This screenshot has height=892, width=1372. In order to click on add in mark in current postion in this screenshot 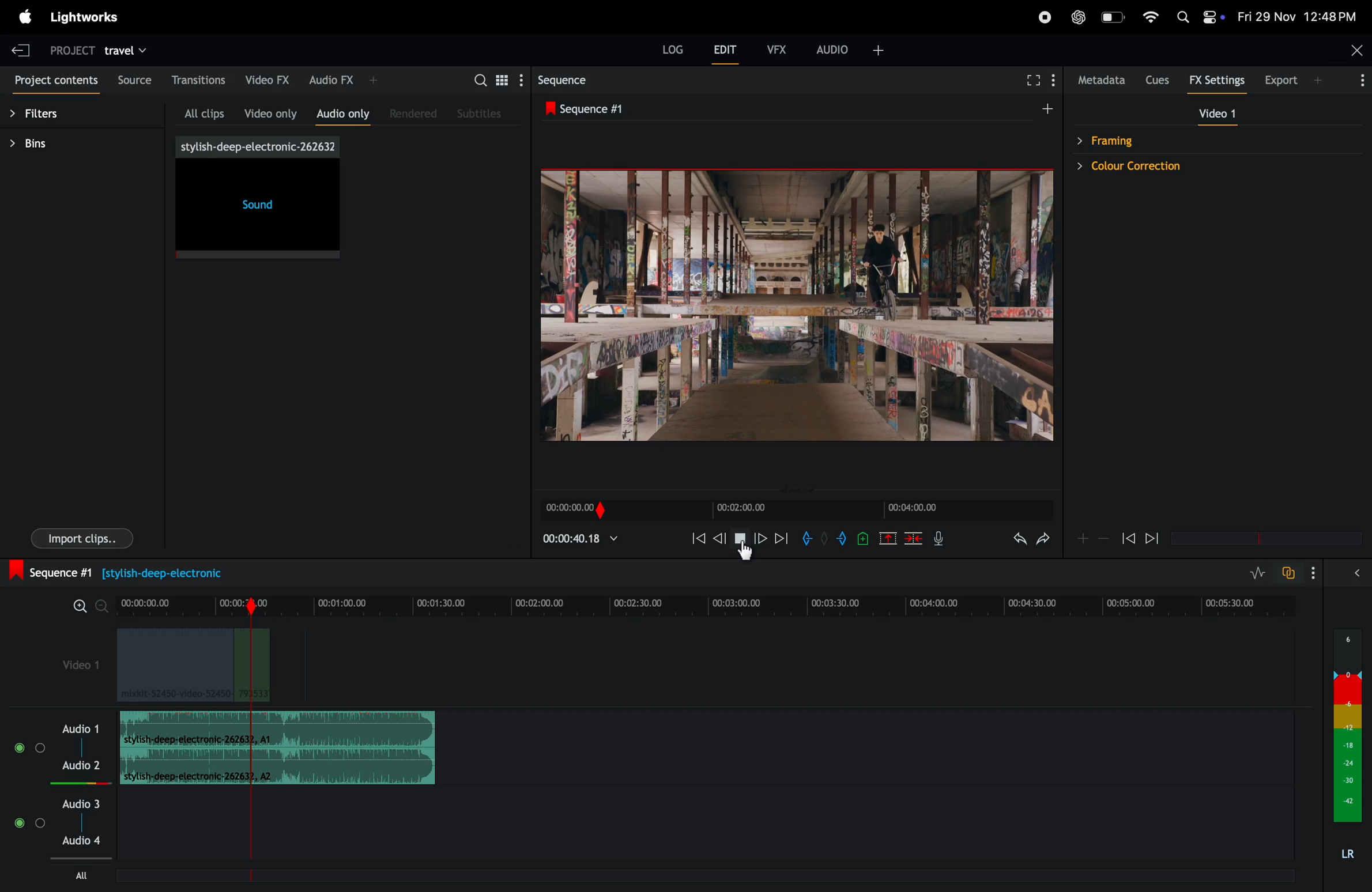, I will do `click(807, 538)`.